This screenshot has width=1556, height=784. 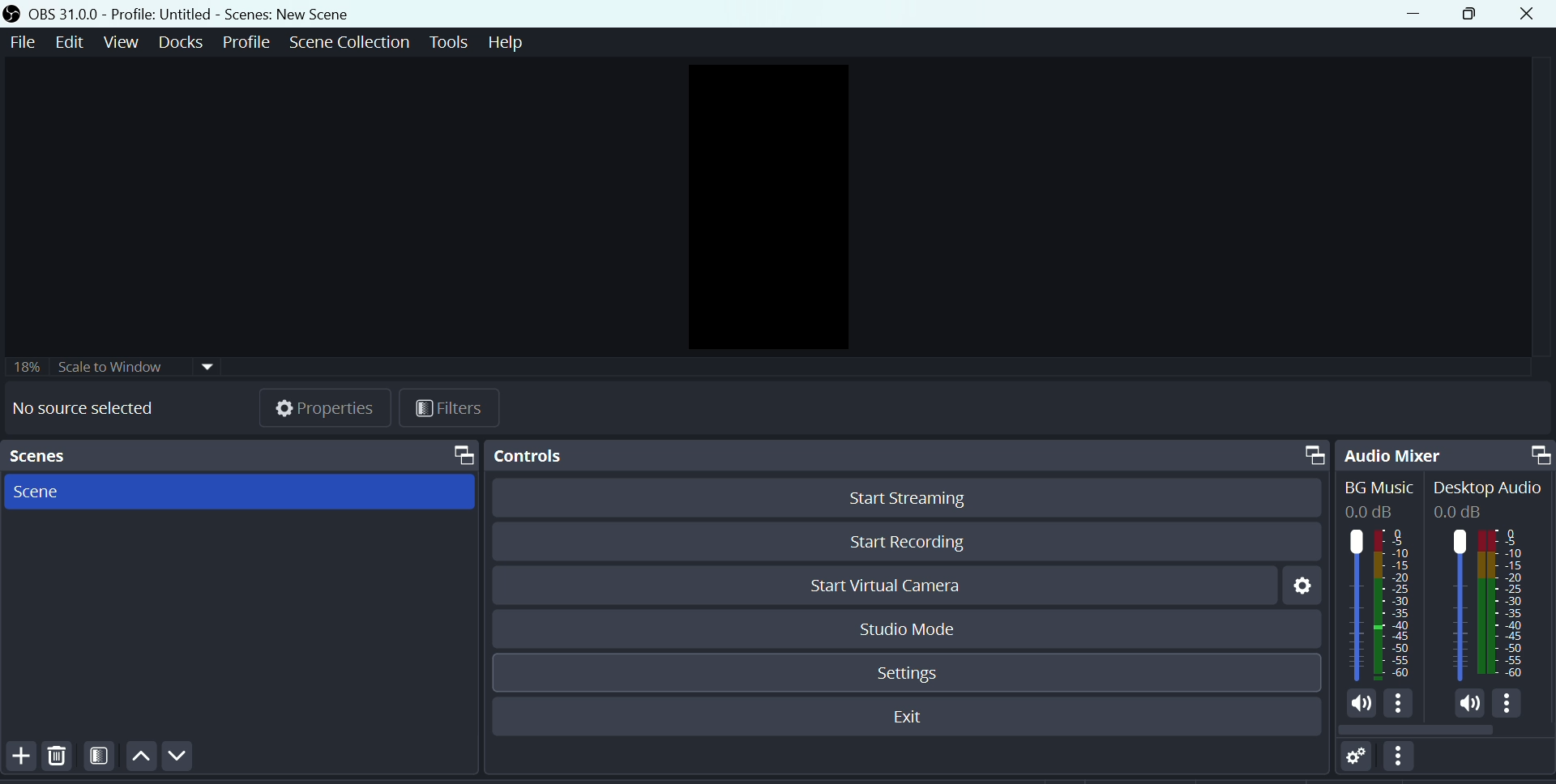 I want to click on View, so click(x=120, y=42).